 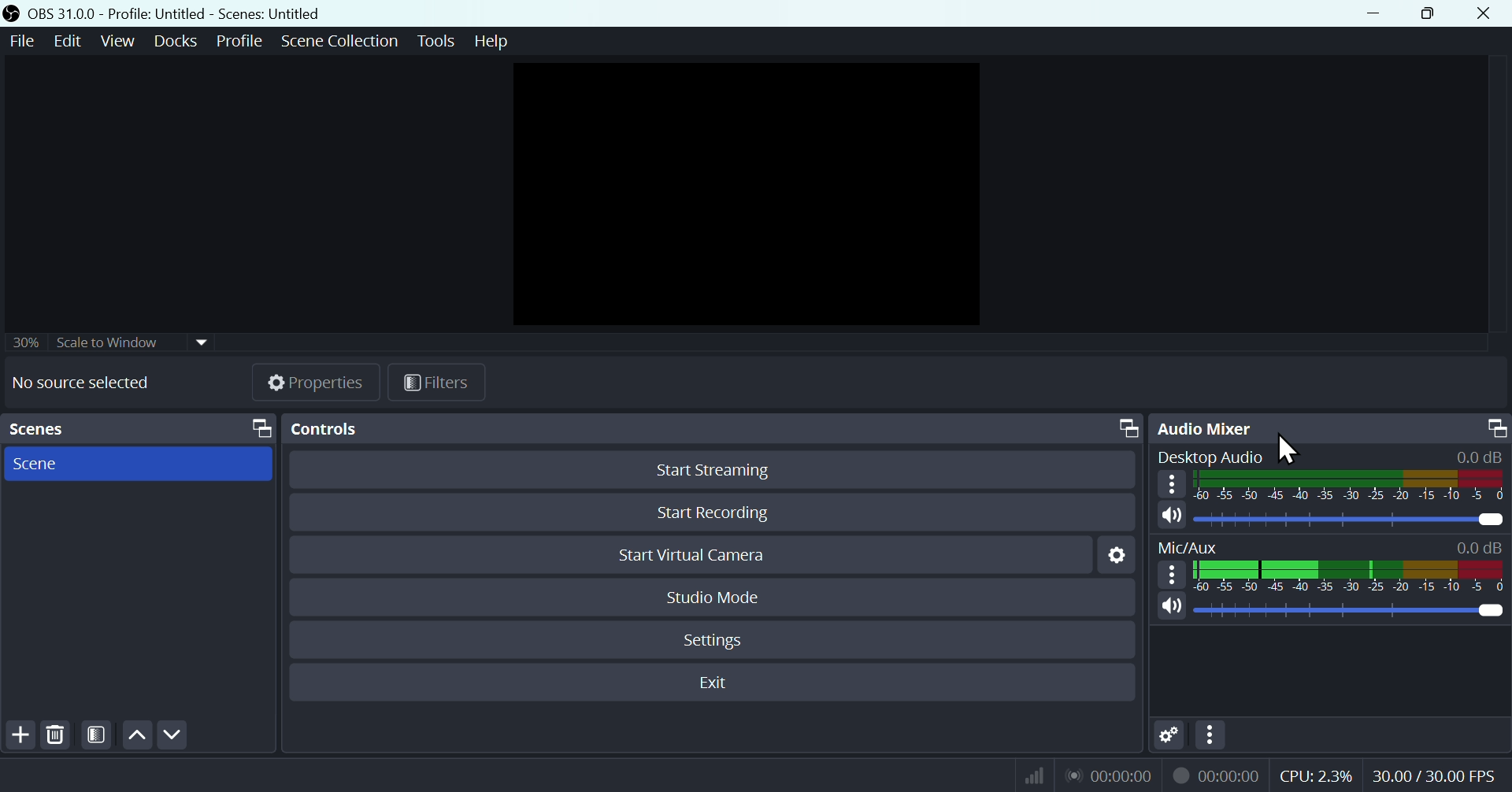 I want to click on Scene collection, so click(x=343, y=39).